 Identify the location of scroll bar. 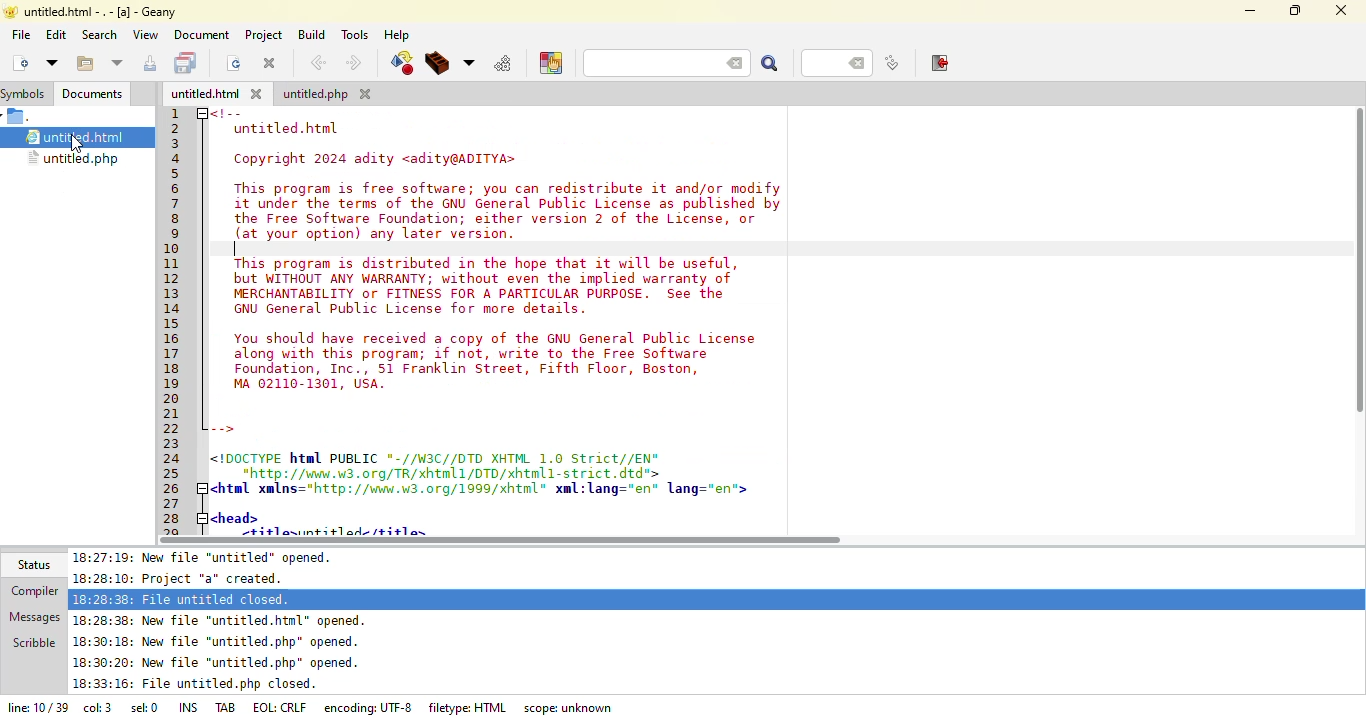
(1355, 259).